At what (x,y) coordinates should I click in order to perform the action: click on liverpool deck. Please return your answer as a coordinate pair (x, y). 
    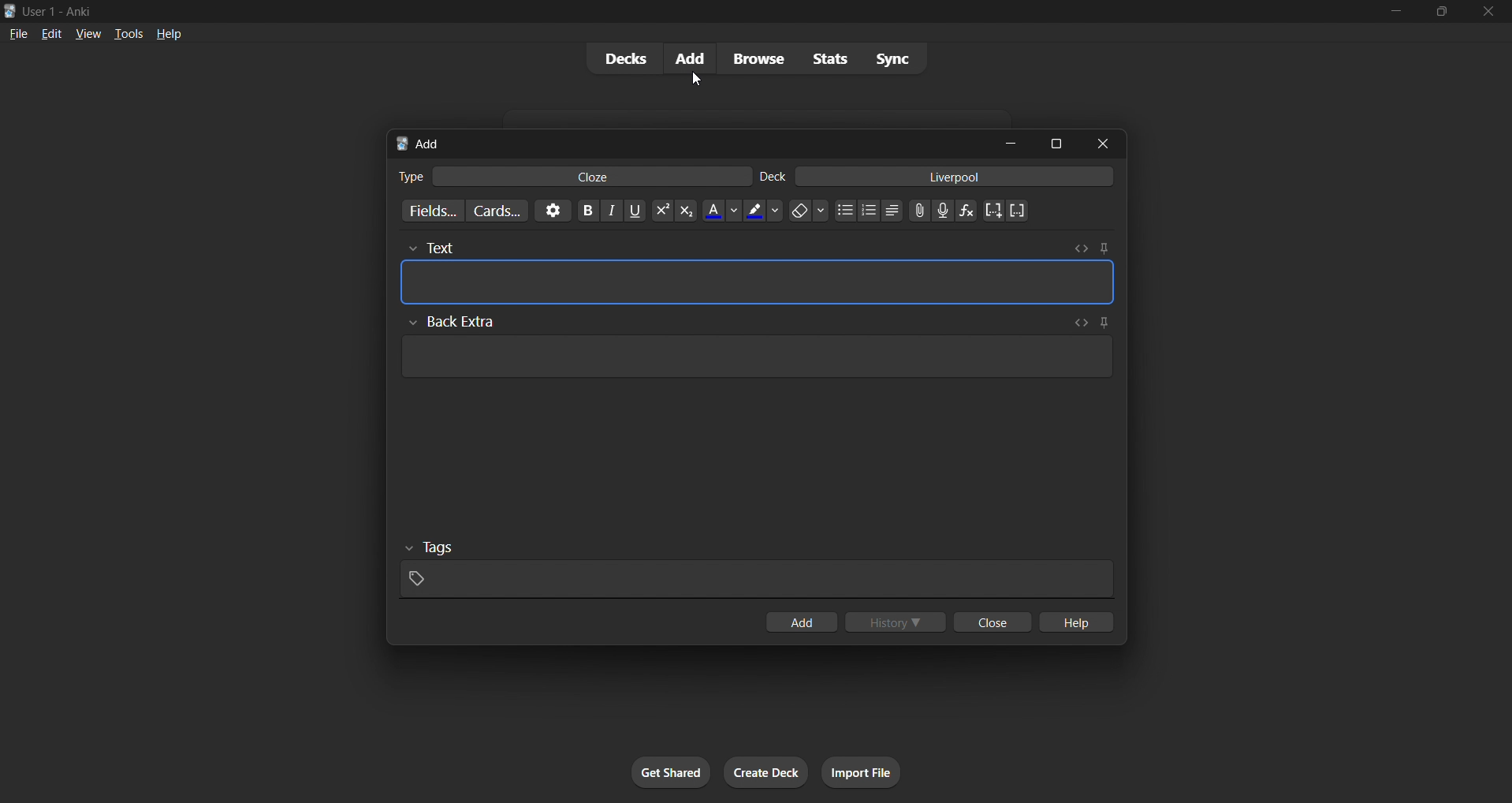
    Looking at the image, I should click on (960, 179).